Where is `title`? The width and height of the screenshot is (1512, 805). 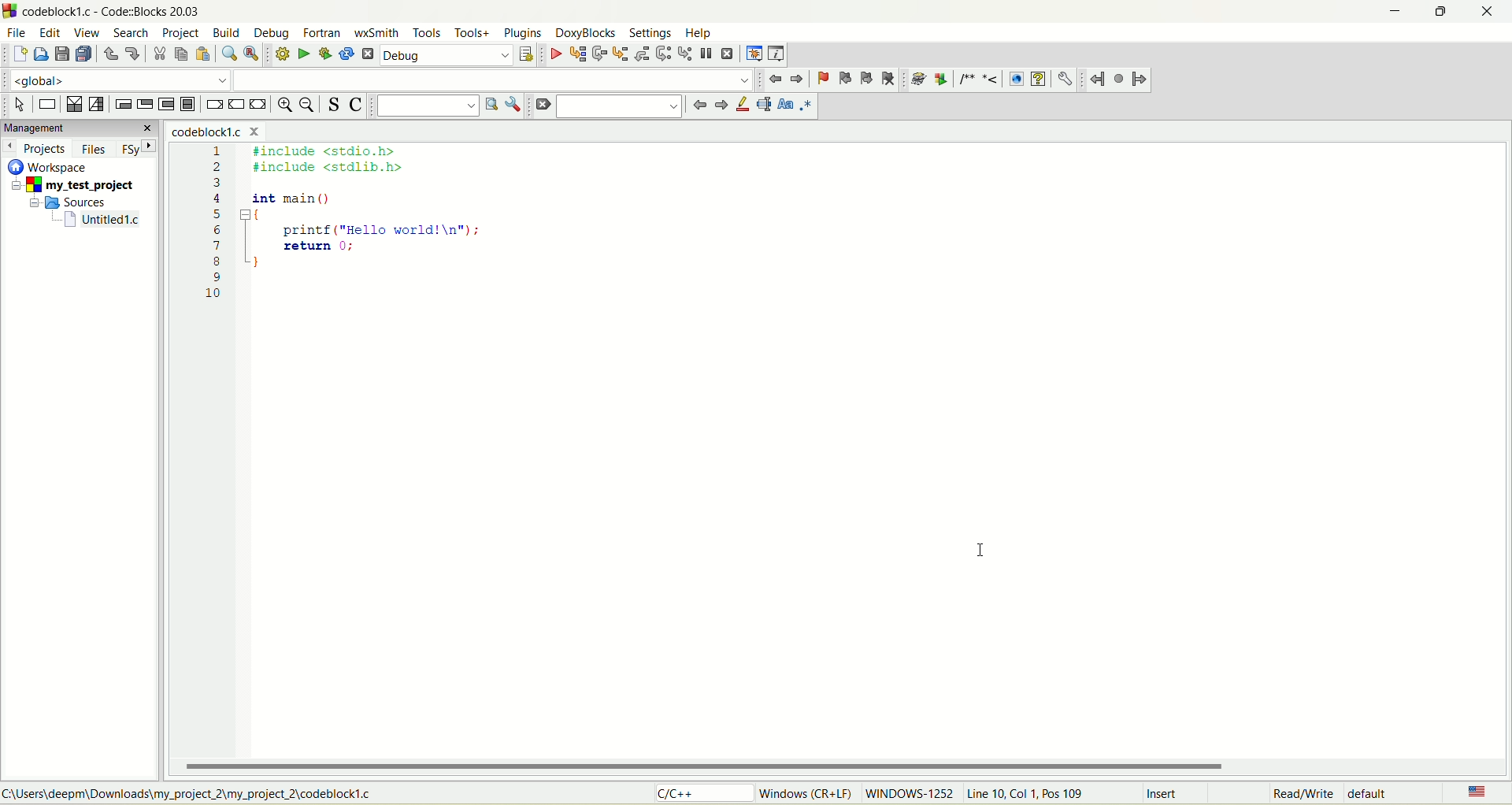 title is located at coordinates (120, 11).